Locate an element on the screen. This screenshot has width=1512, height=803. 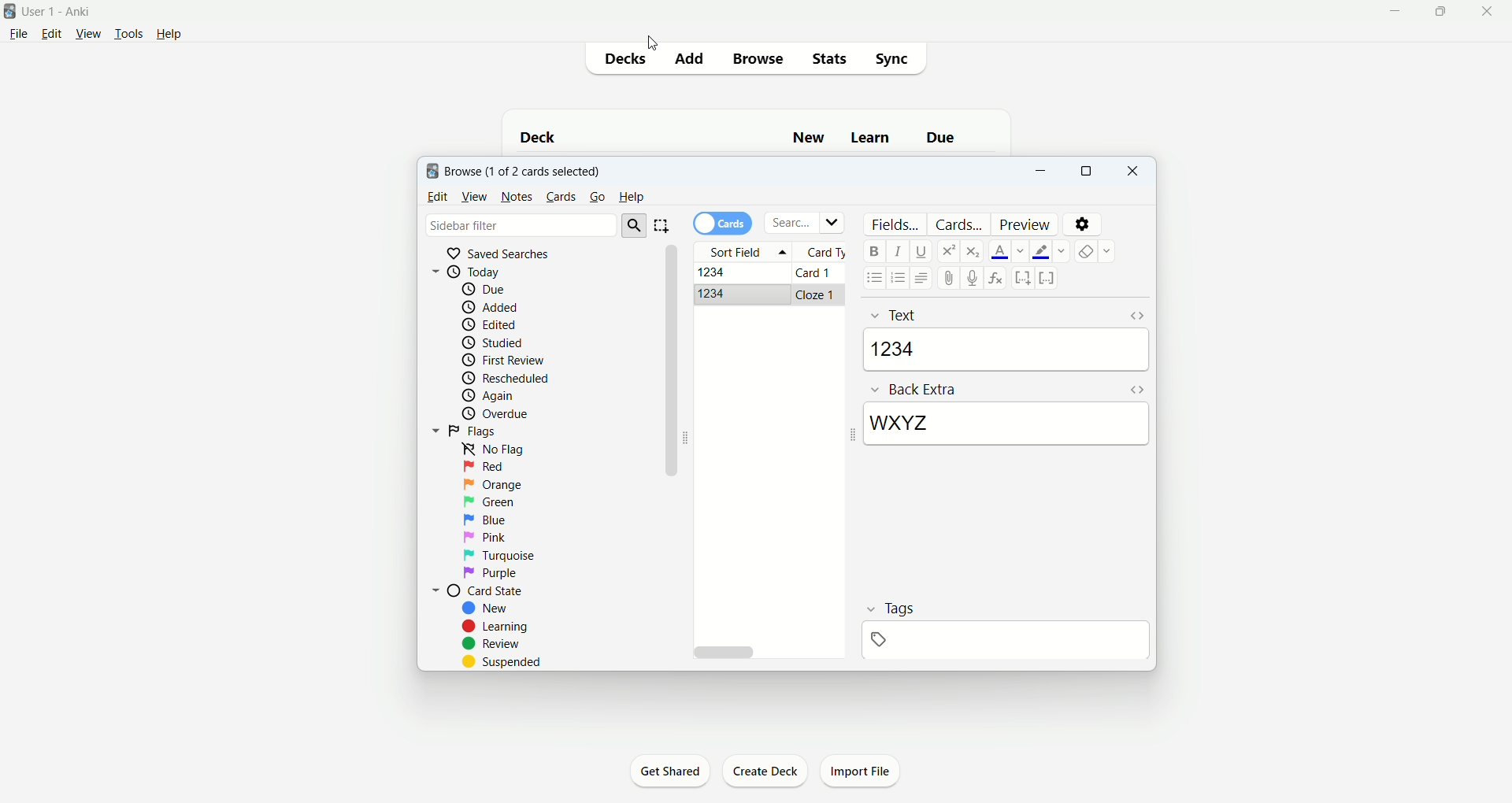
WXYZ is located at coordinates (1007, 425).